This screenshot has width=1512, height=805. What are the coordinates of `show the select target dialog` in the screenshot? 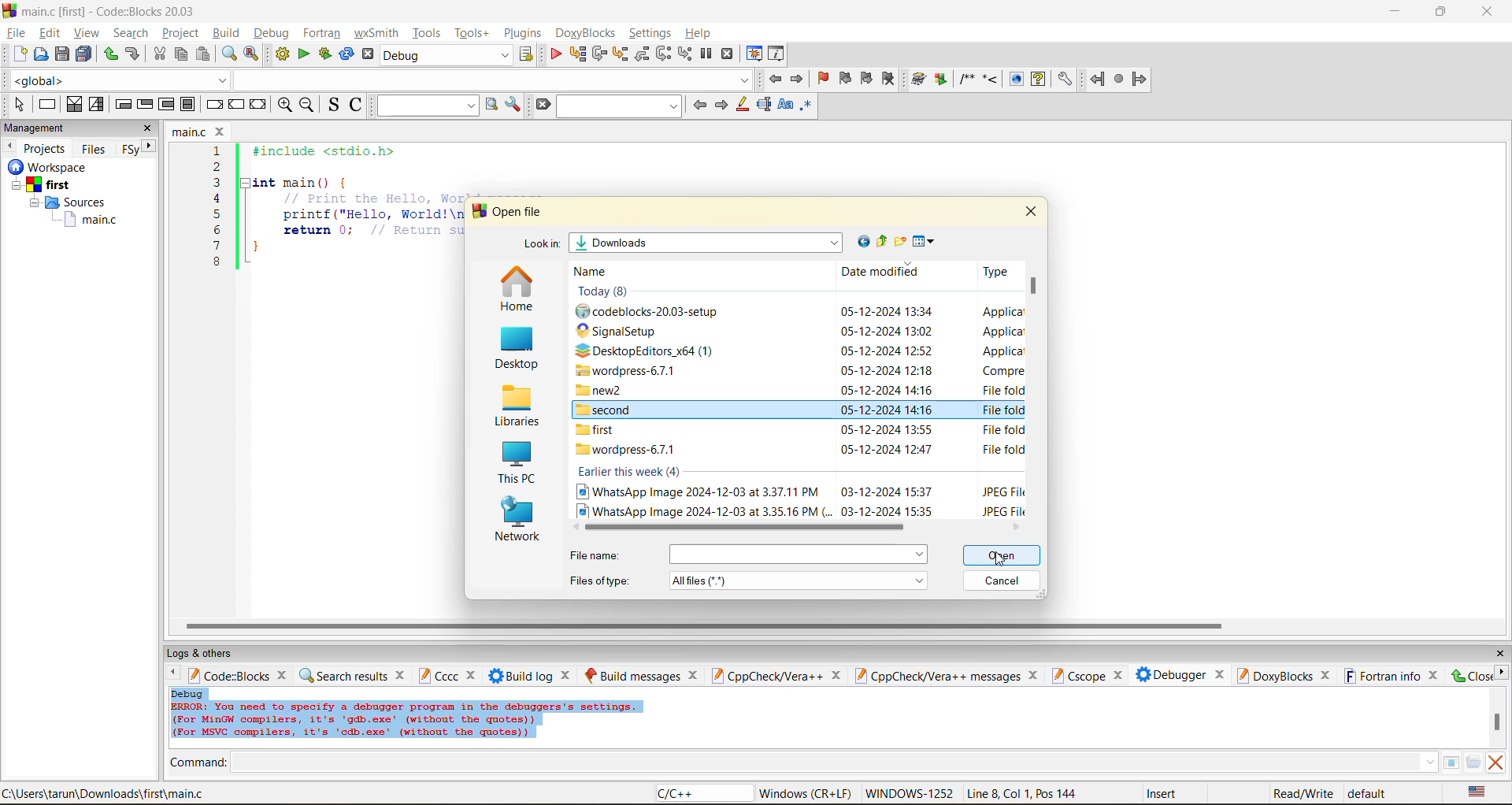 It's located at (528, 54).